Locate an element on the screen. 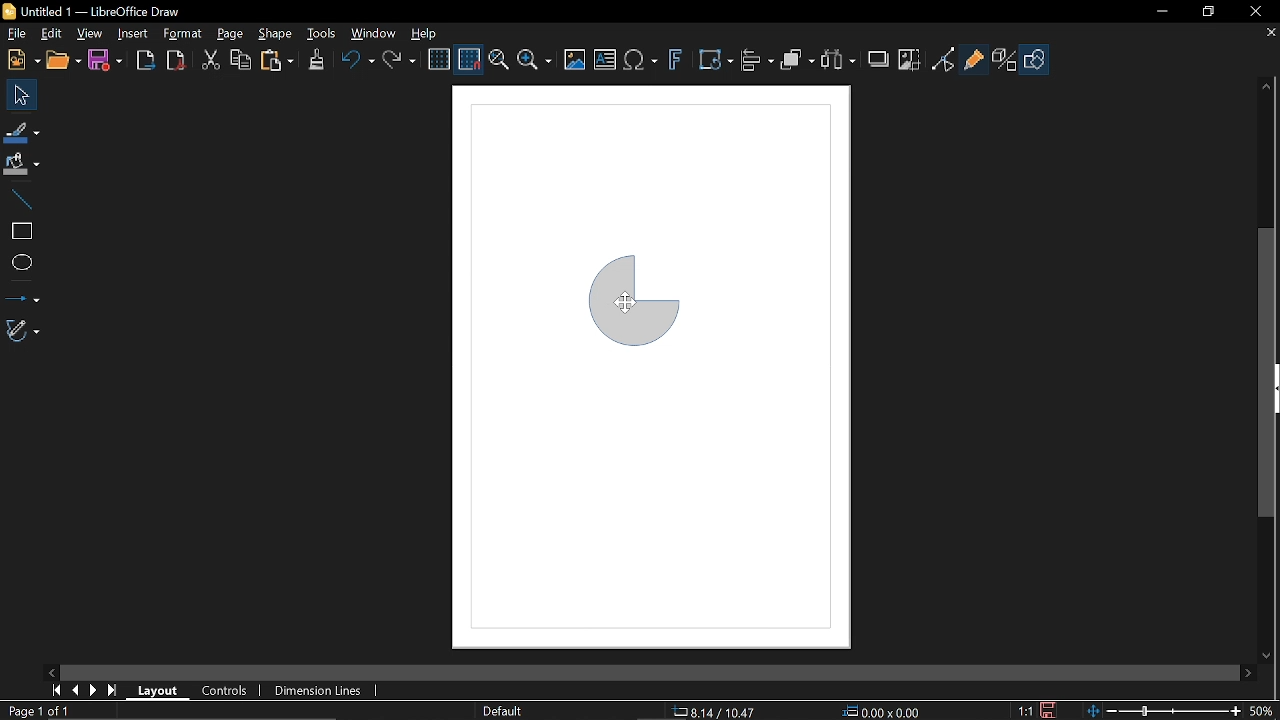 The width and height of the screenshot is (1280, 720). Close window is located at coordinates (1258, 12).